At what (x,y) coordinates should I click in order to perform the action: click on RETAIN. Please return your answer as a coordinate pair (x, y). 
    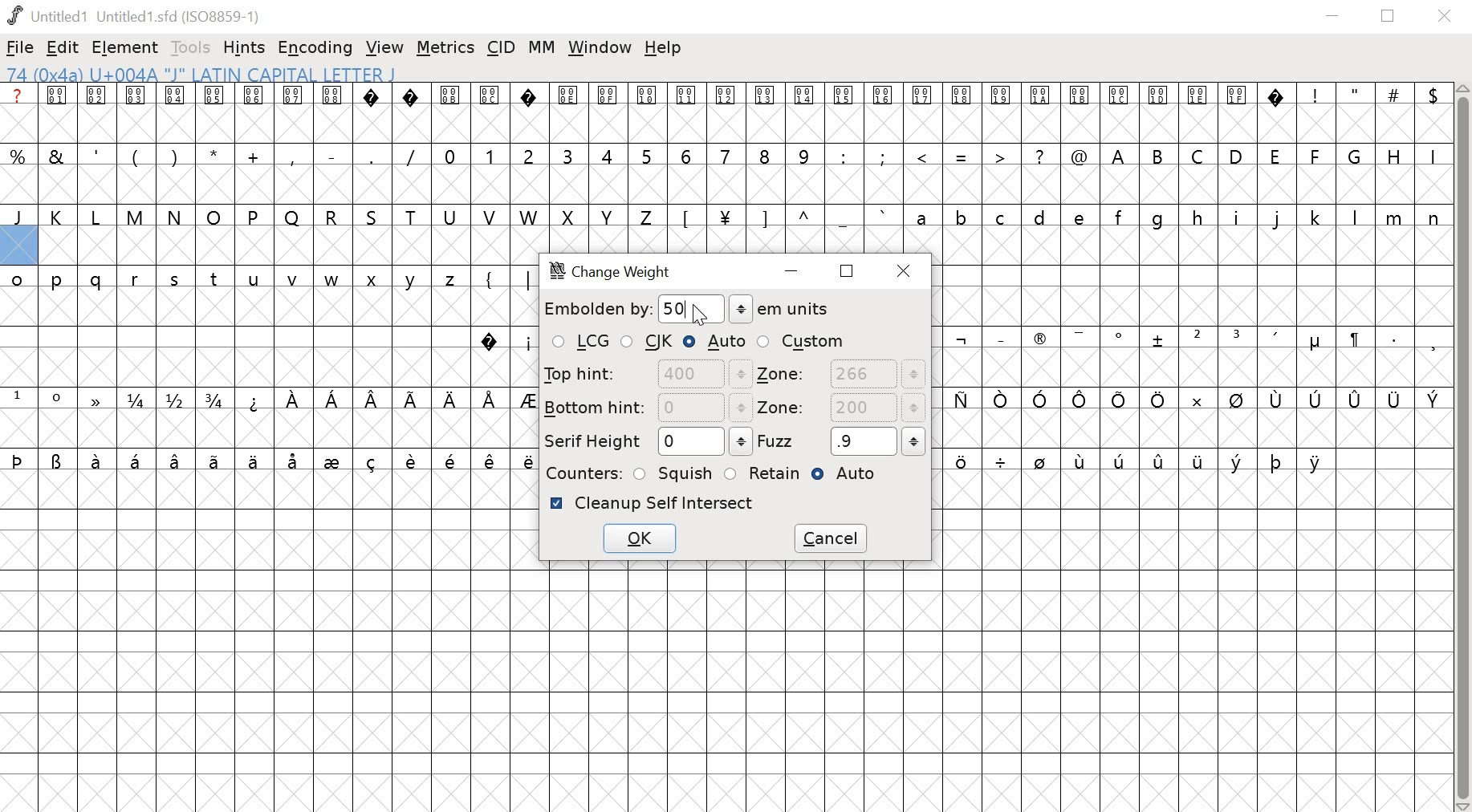
    Looking at the image, I should click on (762, 473).